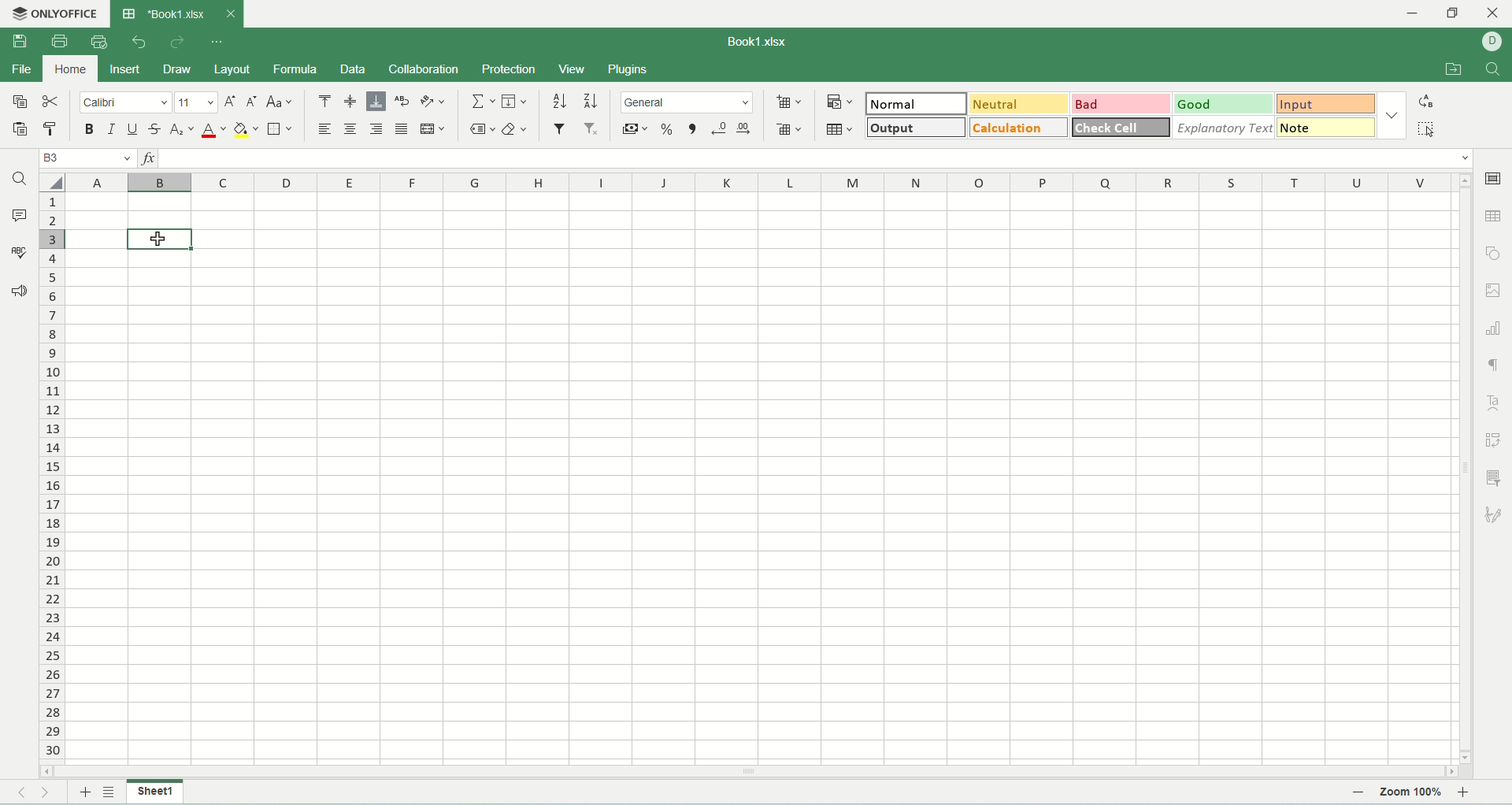 Image resolution: width=1512 pixels, height=805 pixels. What do you see at coordinates (509, 70) in the screenshot?
I see `protection` at bounding box center [509, 70].